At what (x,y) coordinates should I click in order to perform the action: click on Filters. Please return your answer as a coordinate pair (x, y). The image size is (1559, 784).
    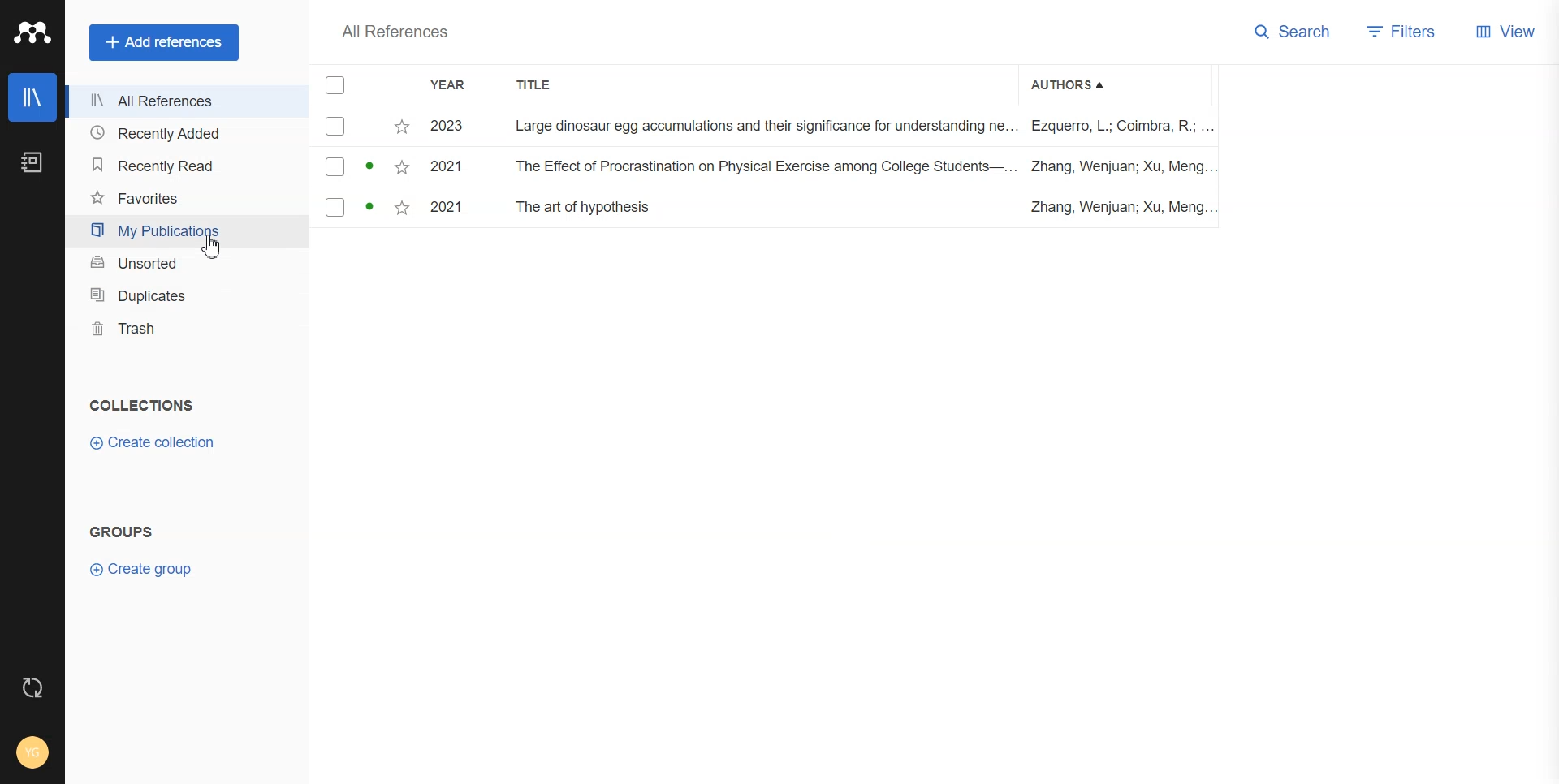
    Looking at the image, I should click on (1406, 31).